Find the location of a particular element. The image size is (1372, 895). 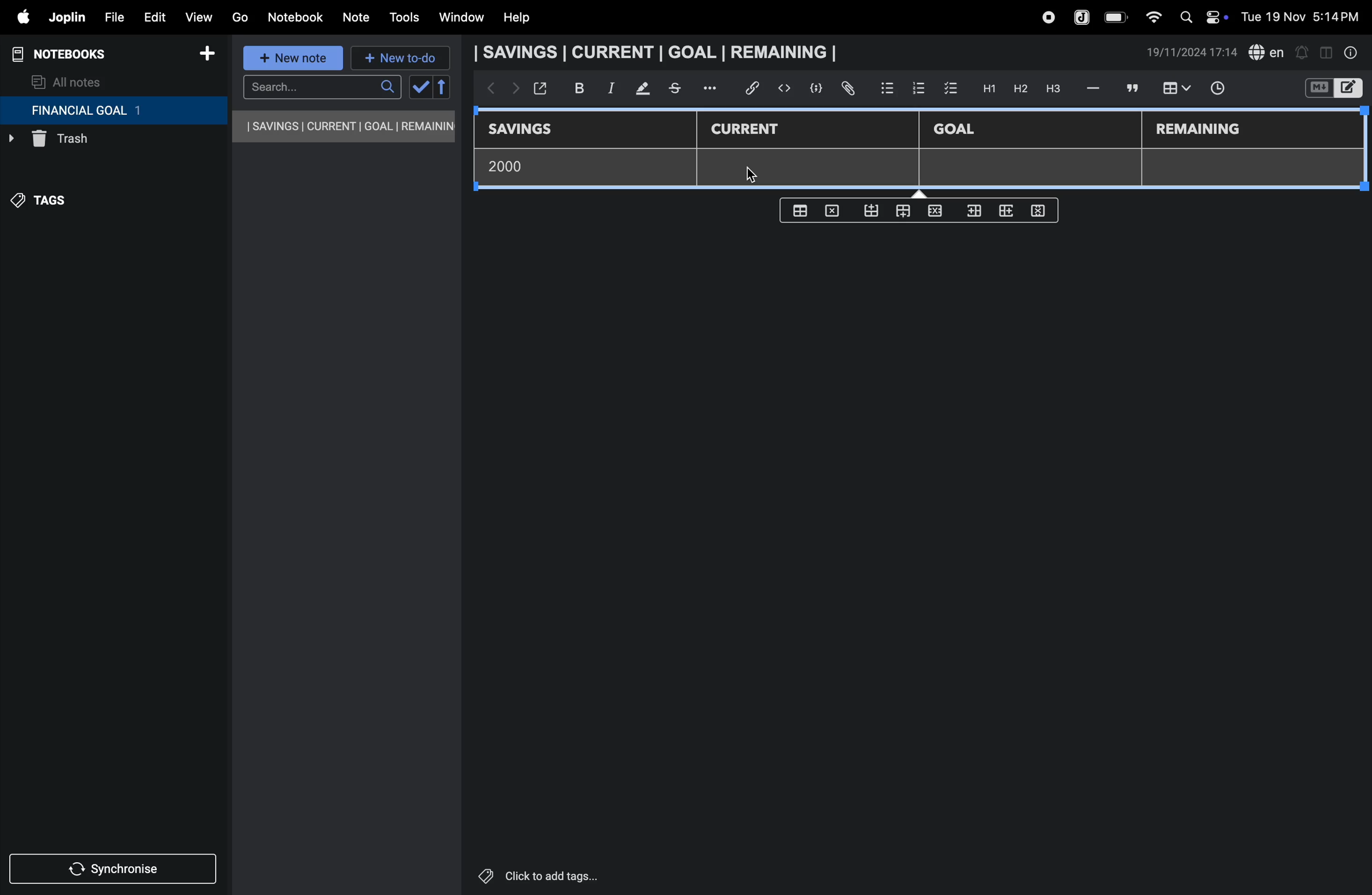

notebooks is located at coordinates (69, 54).